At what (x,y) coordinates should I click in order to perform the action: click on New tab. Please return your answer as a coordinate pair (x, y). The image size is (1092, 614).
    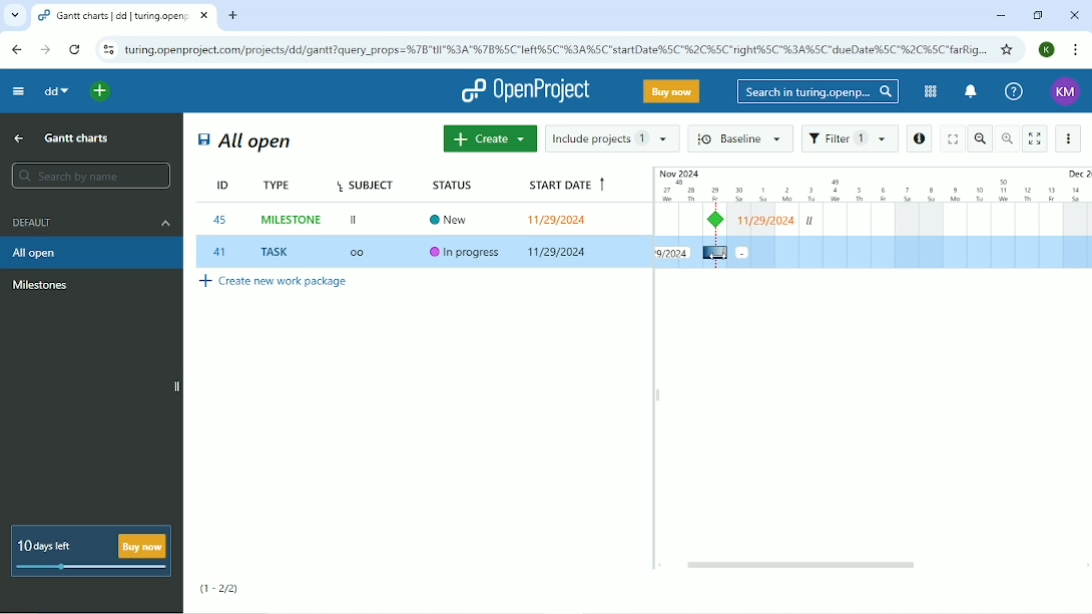
    Looking at the image, I should click on (235, 15).